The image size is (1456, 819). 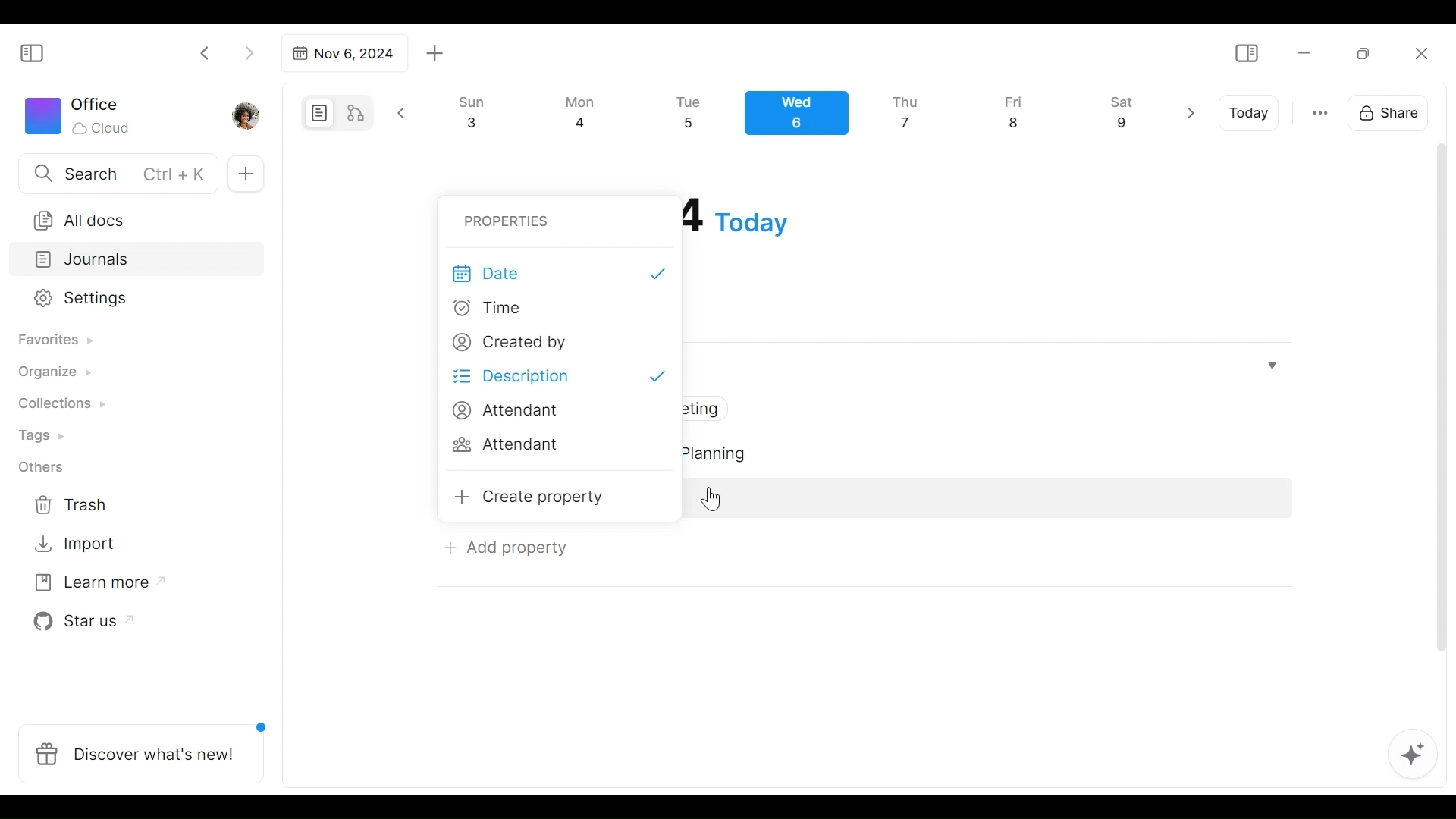 I want to click on Click to go forward, so click(x=249, y=52).